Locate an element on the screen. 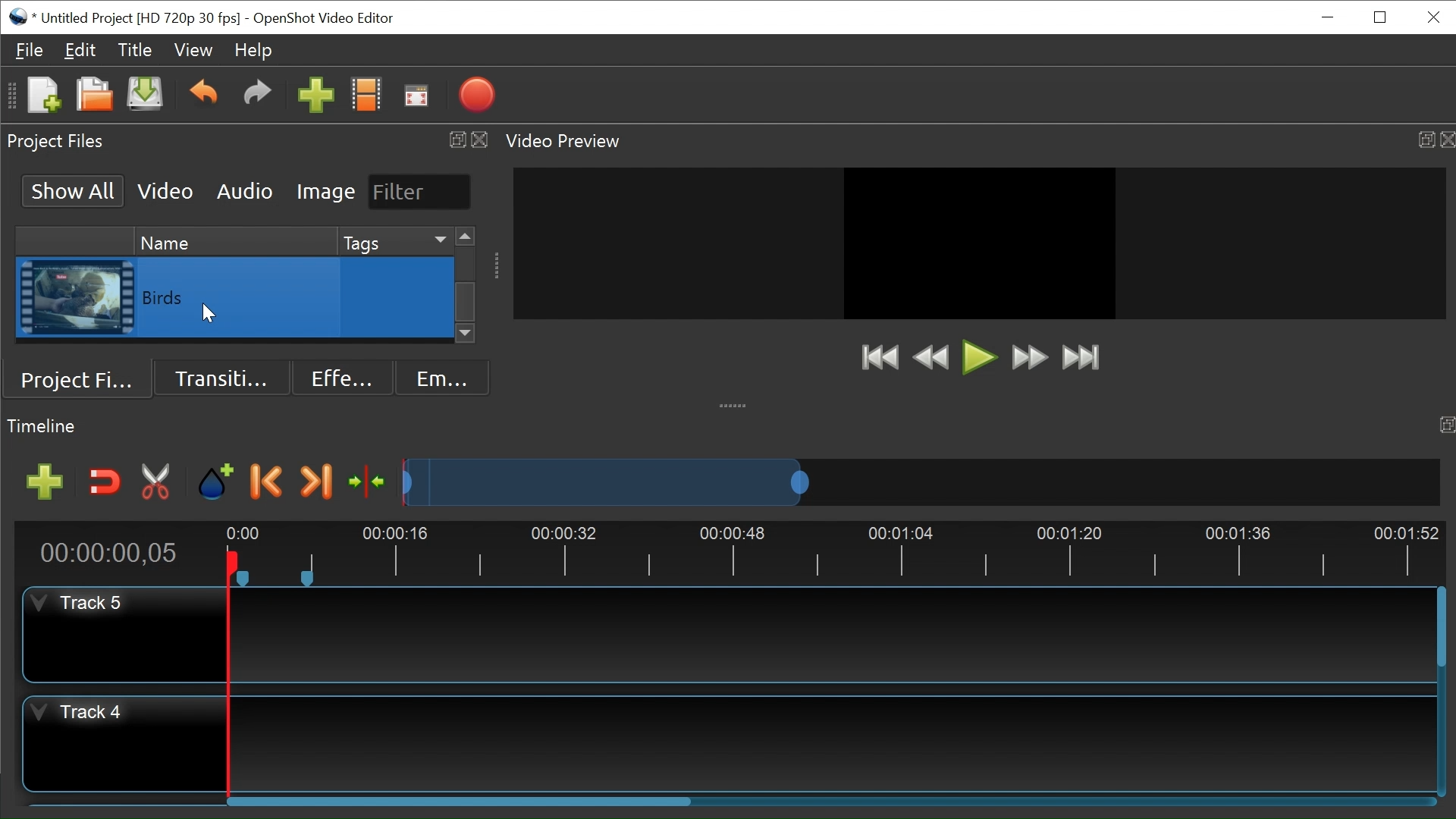 Image resolution: width=1456 pixels, height=819 pixels. Redo is located at coordinates (257, 96).